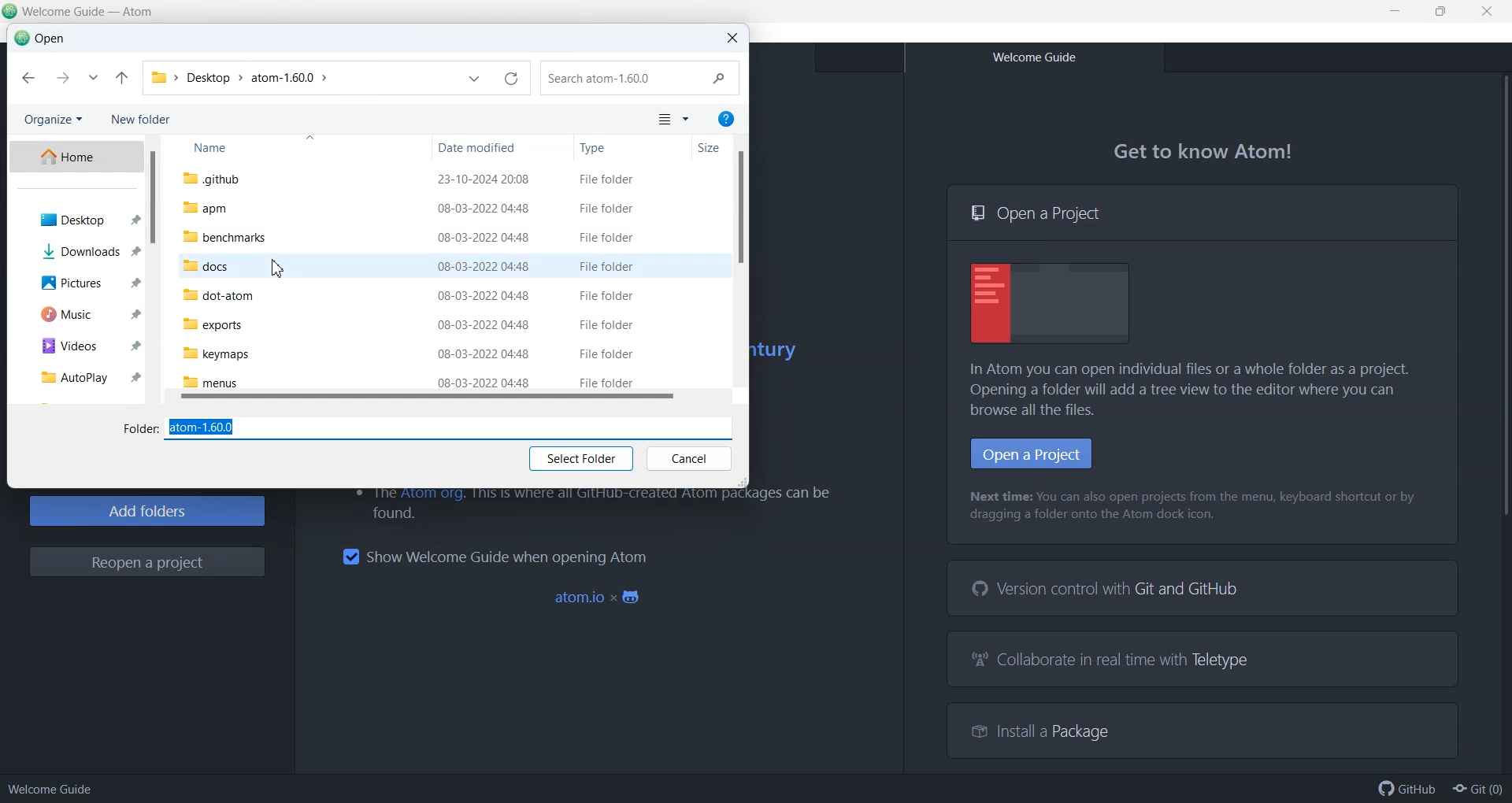  What do you see at coordinates (74, 376) in the screenshot?
I see `AutoPlay` at bounding box center [74, 376].